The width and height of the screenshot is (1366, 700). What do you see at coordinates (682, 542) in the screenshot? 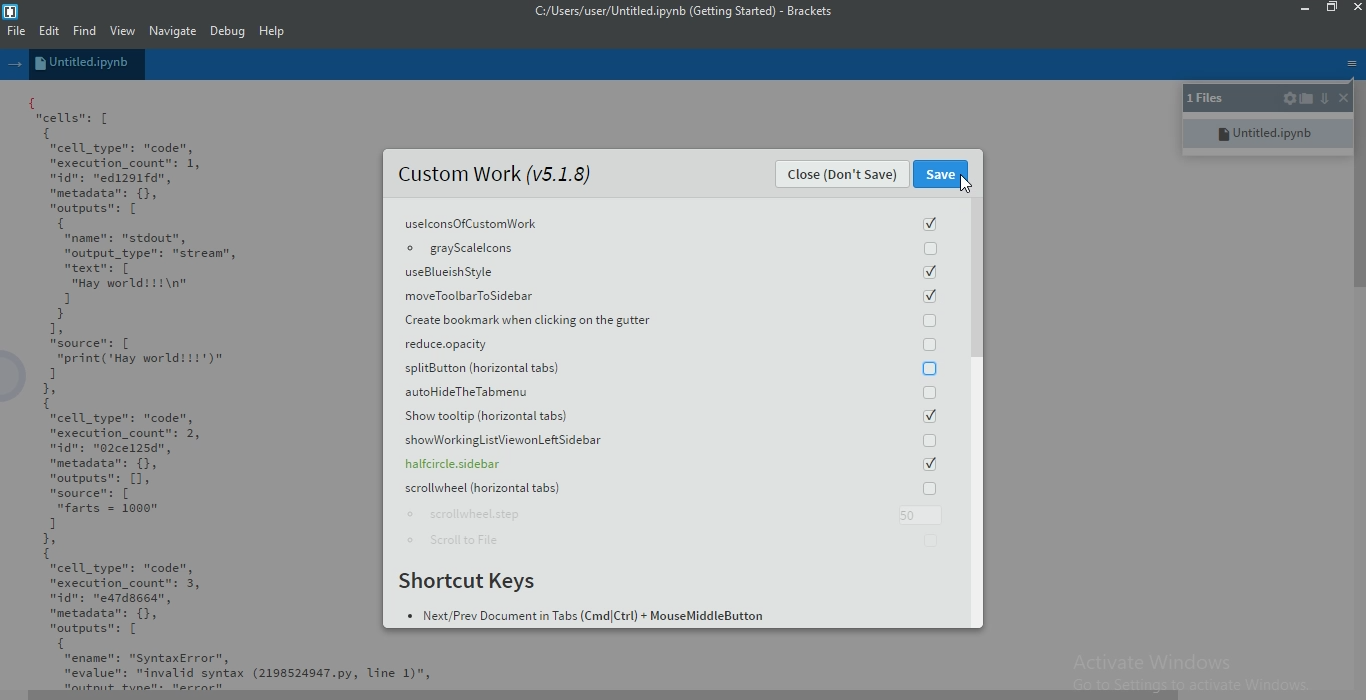
I see `Scroll to File` at bounding box center [682, 542].